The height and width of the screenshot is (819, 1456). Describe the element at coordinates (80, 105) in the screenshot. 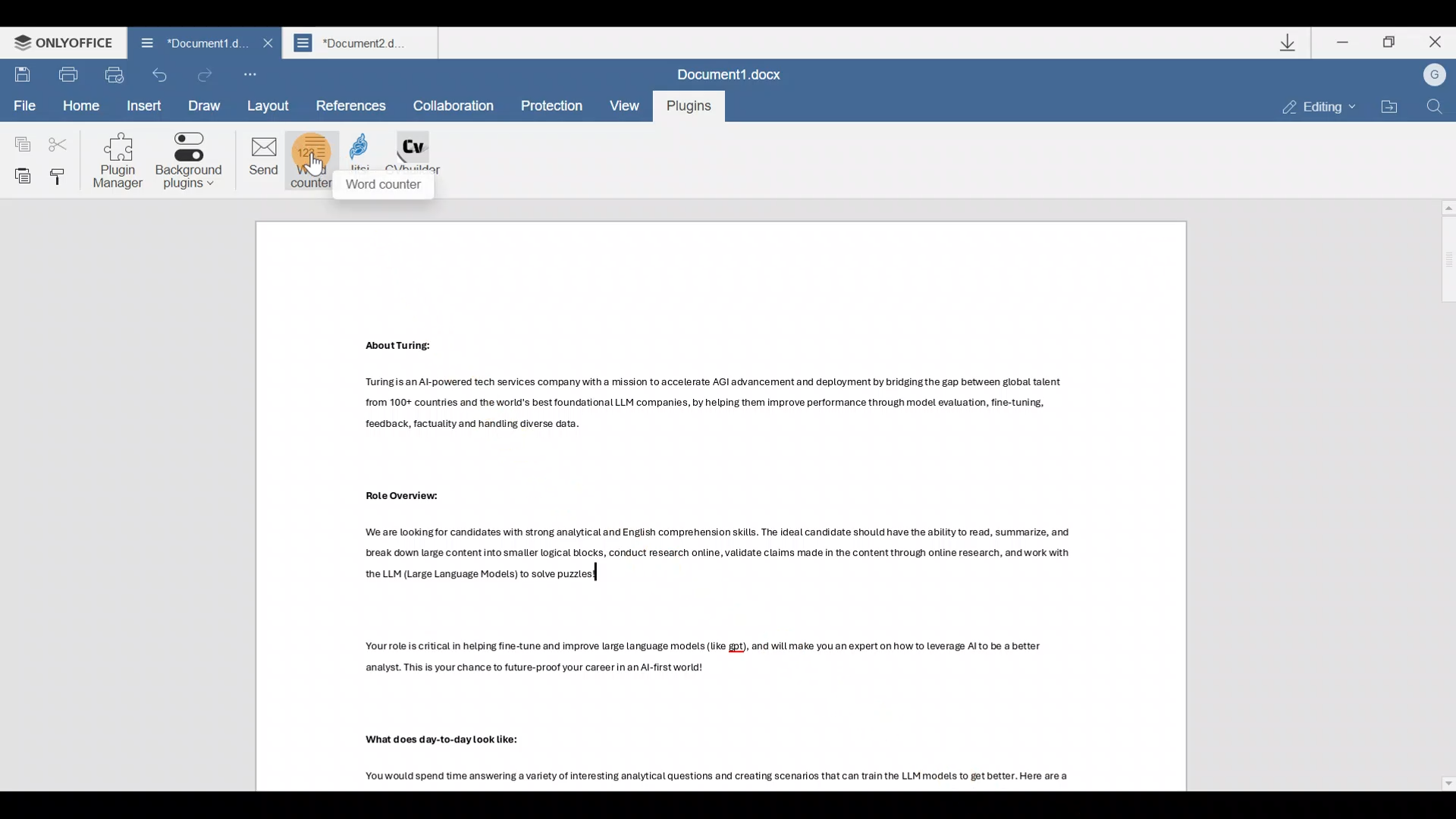

I see `Home` at that location.